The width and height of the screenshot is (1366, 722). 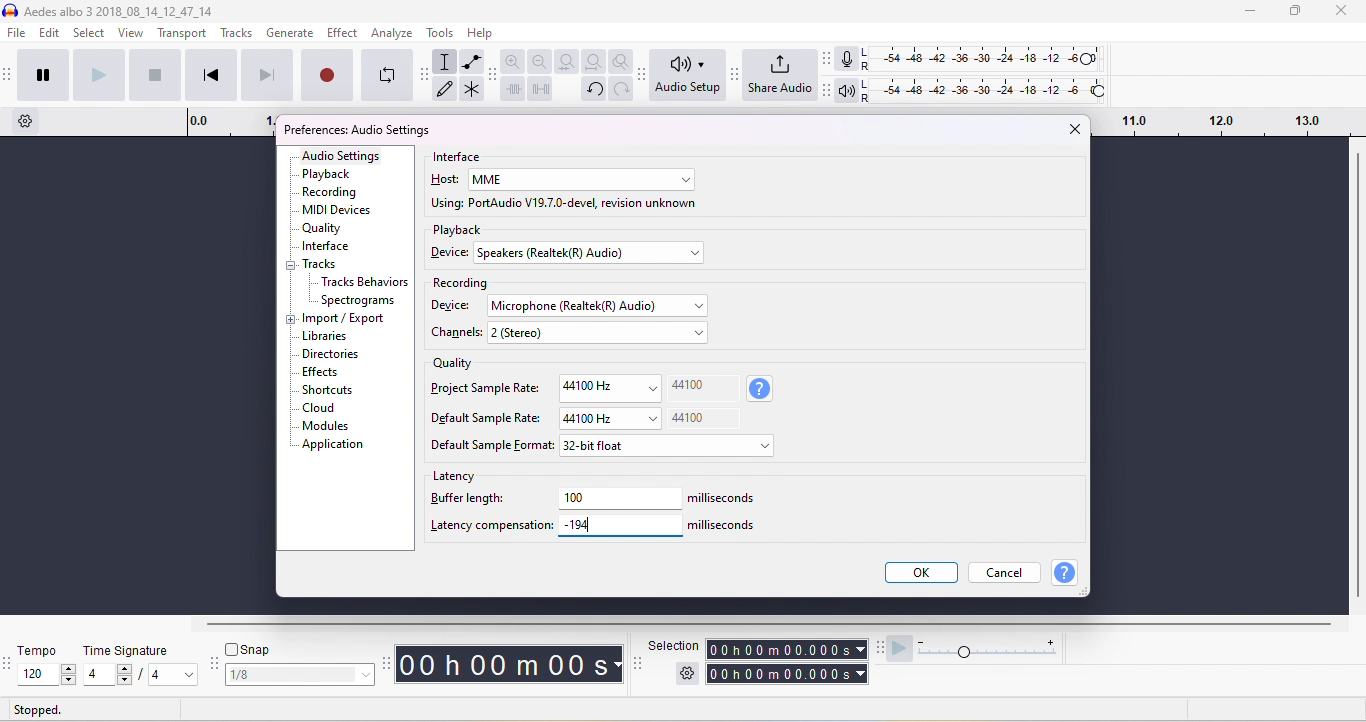 I want to click on select host, so click(x=581, y=180).